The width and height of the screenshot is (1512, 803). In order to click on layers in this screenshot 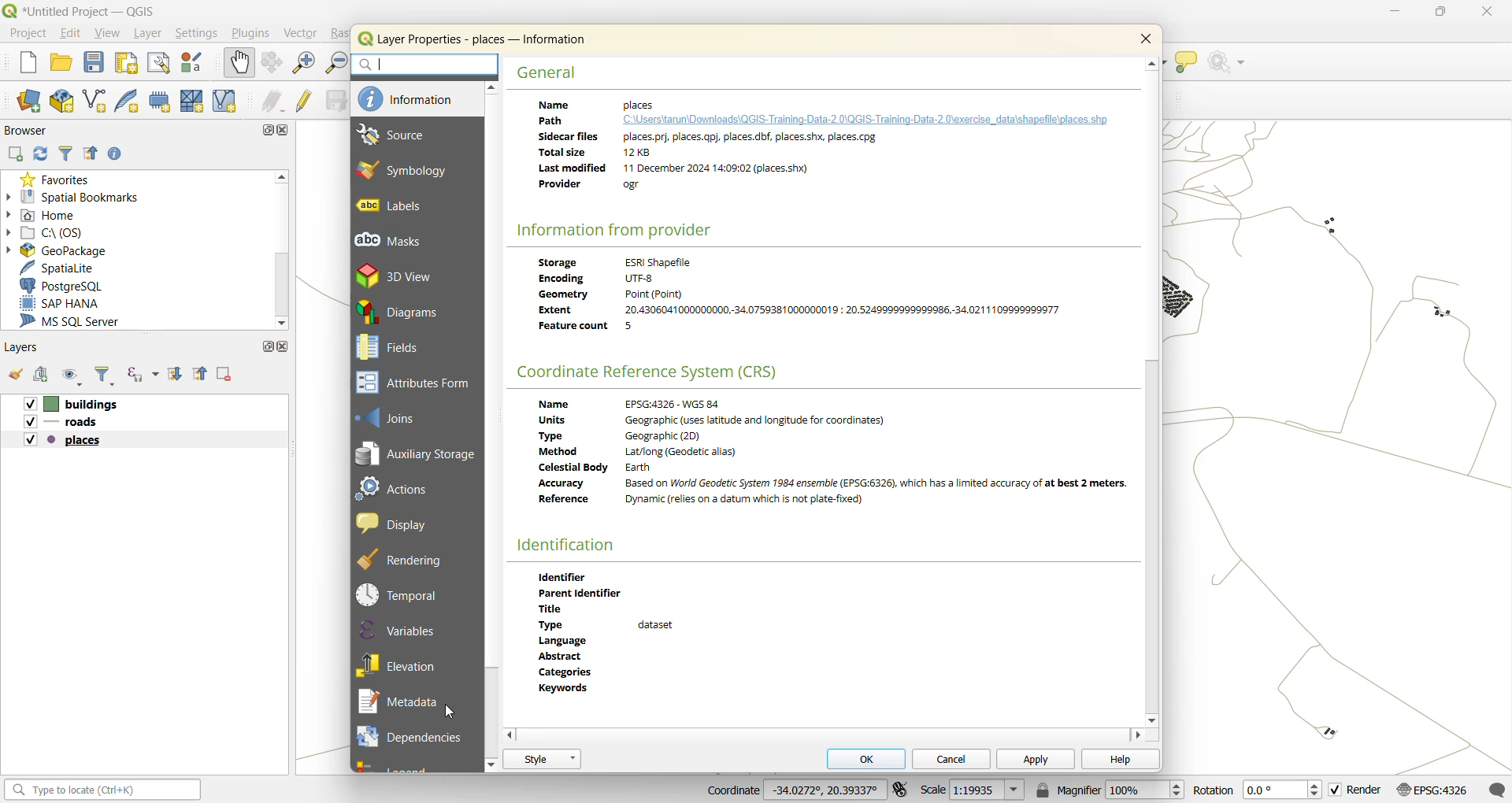, I will do `click(27, 346)`.